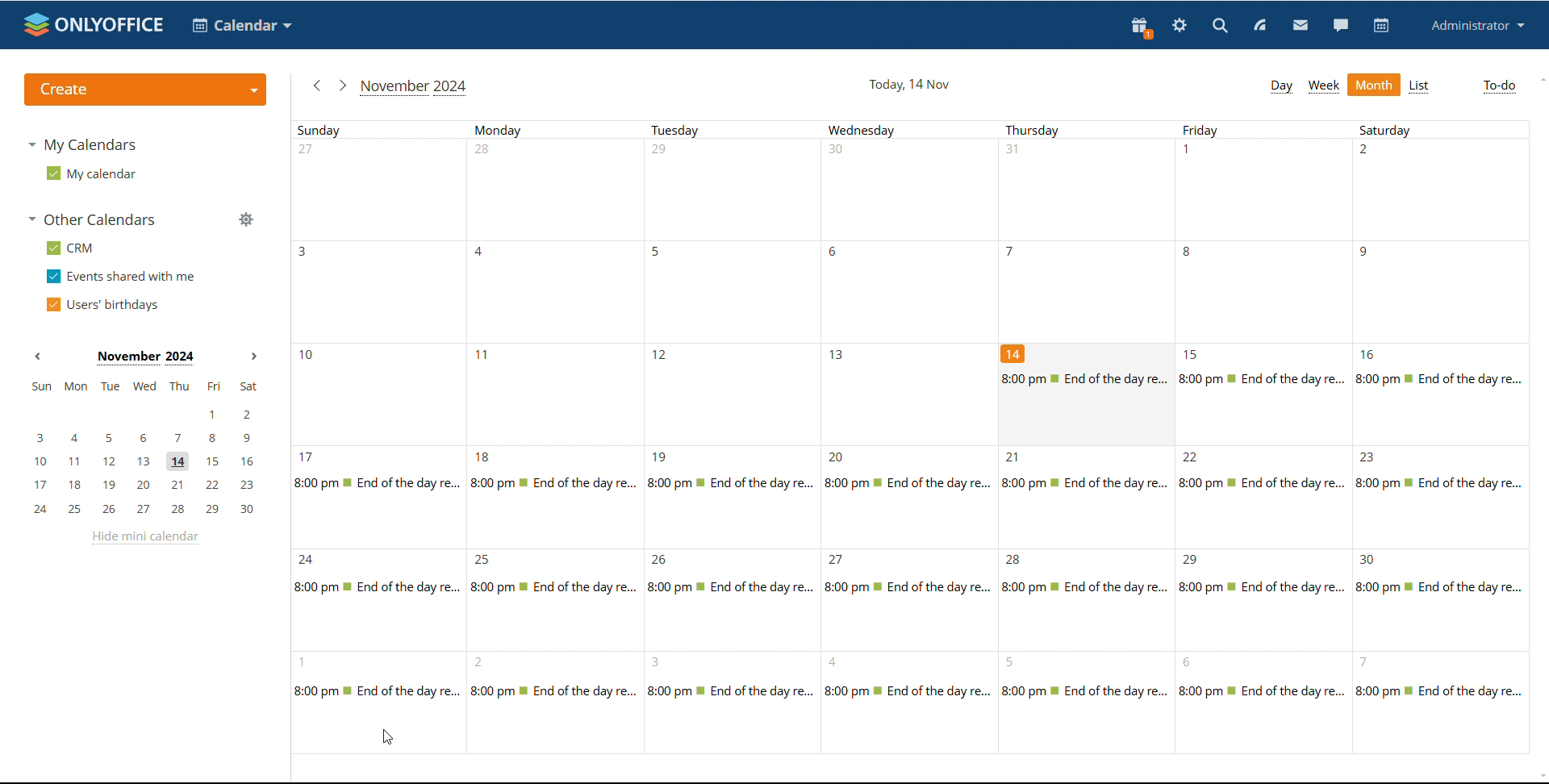 The height and width of the screenshot is (784, 1549). Describe the element at coordinates (247, 221) in the screenshot. I see `manage` at that location.